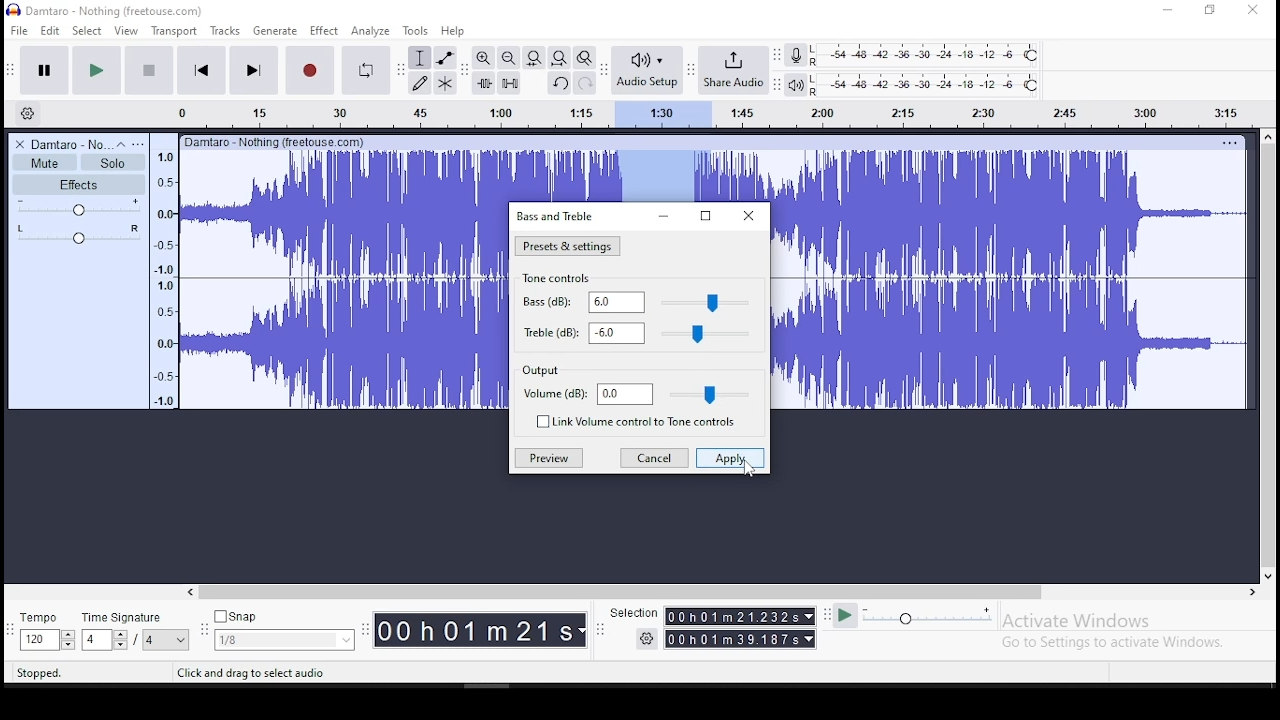 Image resolution: width=1280 pixels, height=720 pixels. Describe the element at coordinates (38, 672) in the screenshot. I see `Stopped.` at that location.